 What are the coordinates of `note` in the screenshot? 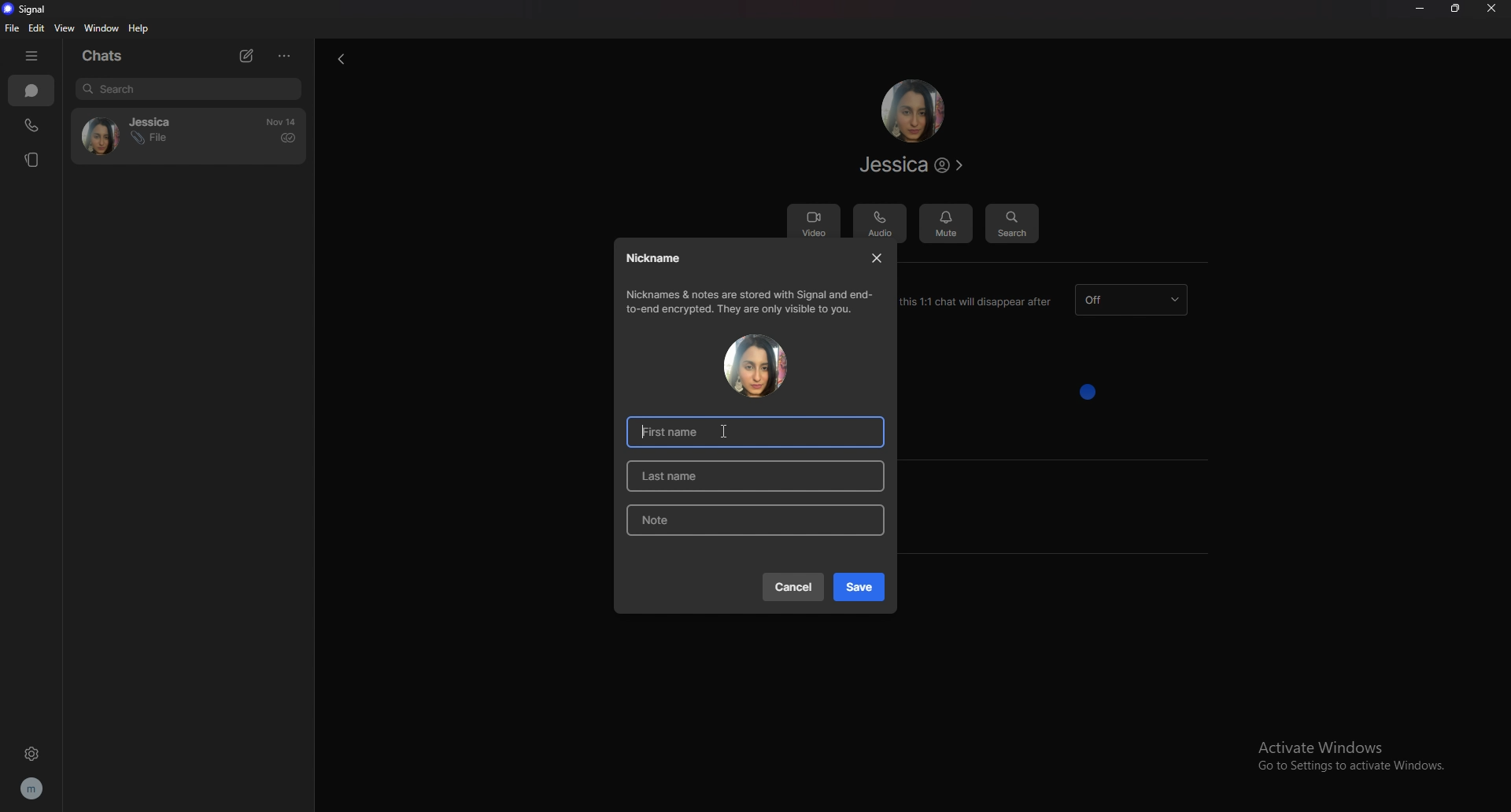 It's located at (752, 520).